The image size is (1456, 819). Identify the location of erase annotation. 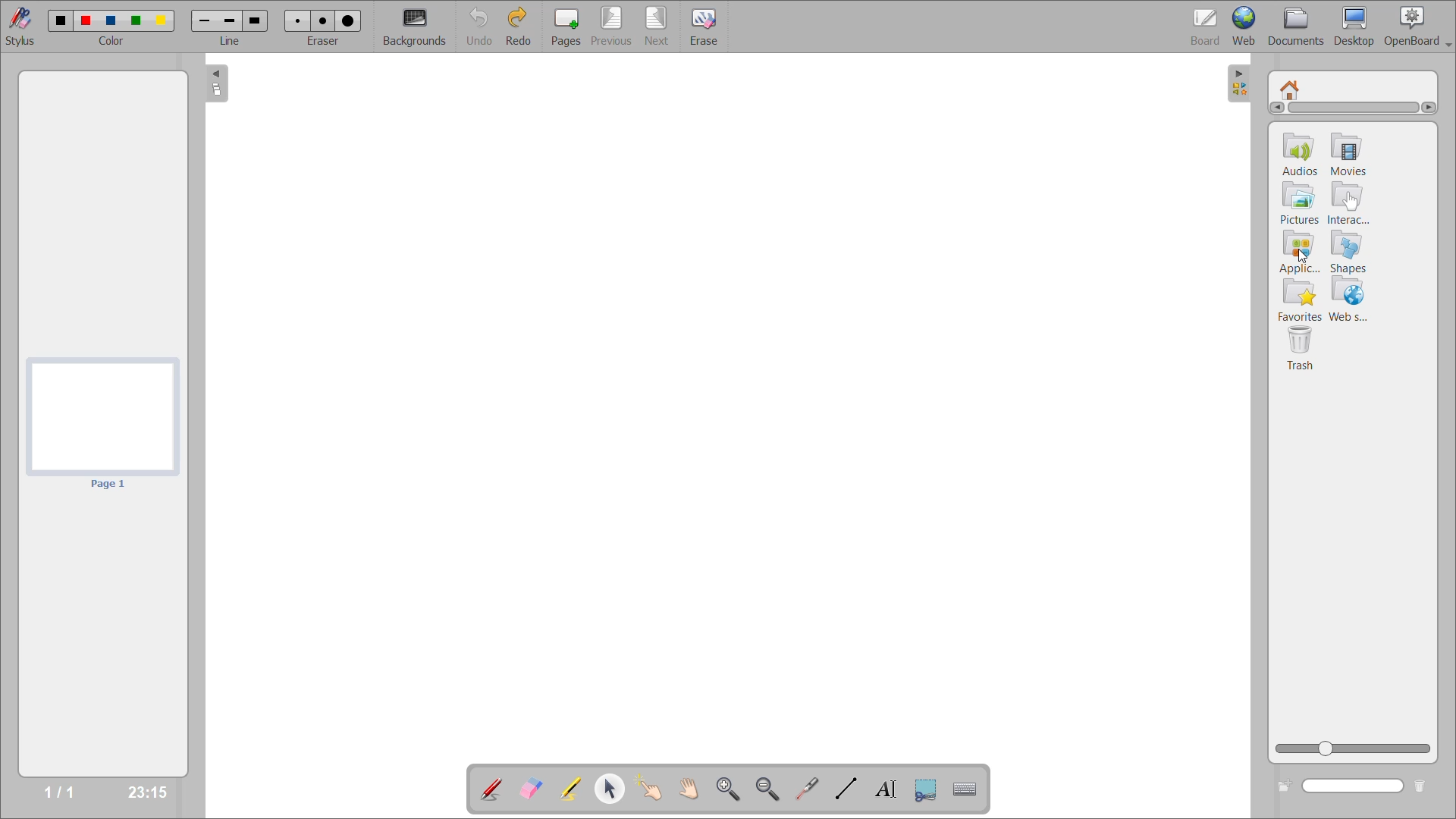
(533, 789).